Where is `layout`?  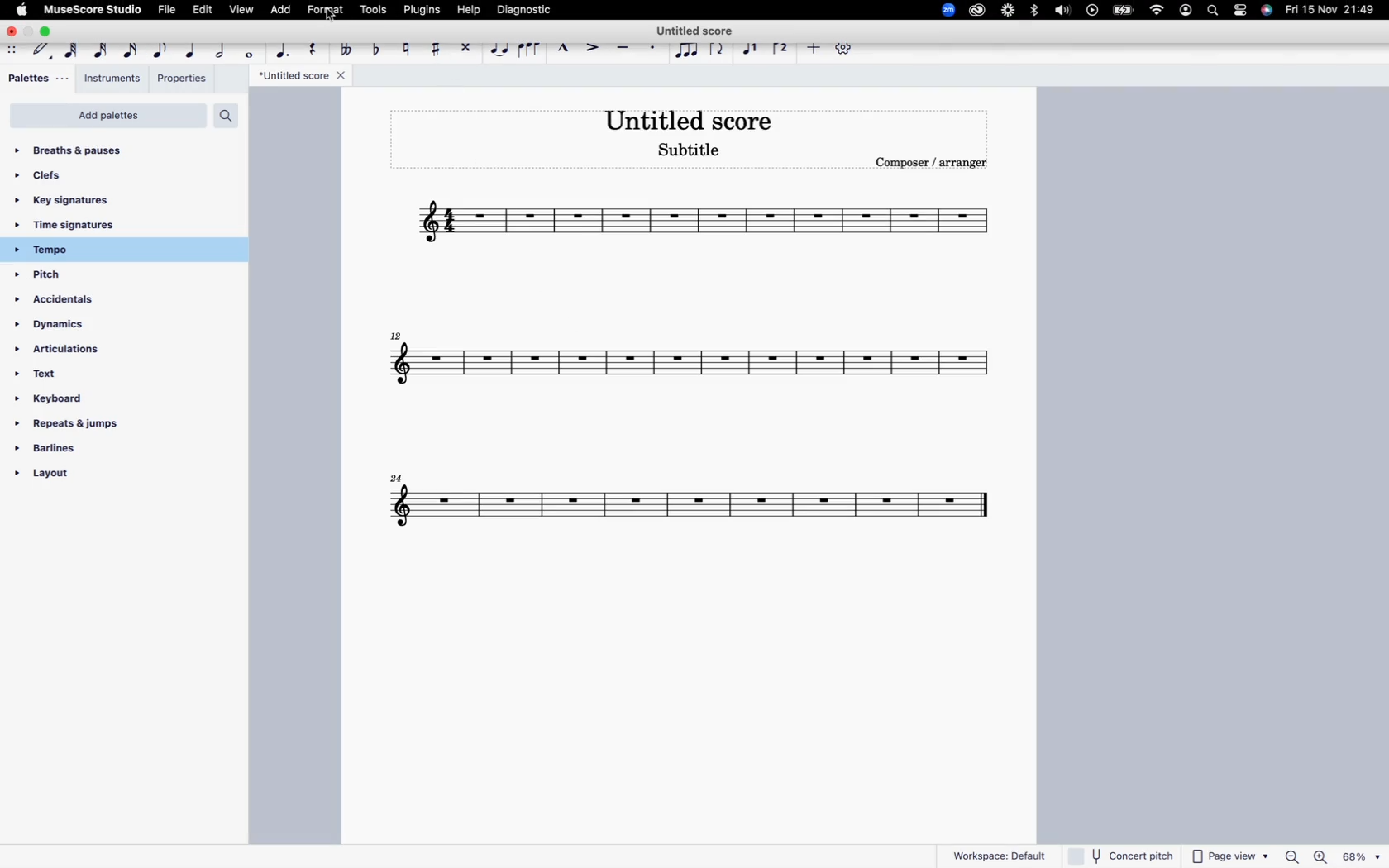
layout is located at coordinates (79, 478).